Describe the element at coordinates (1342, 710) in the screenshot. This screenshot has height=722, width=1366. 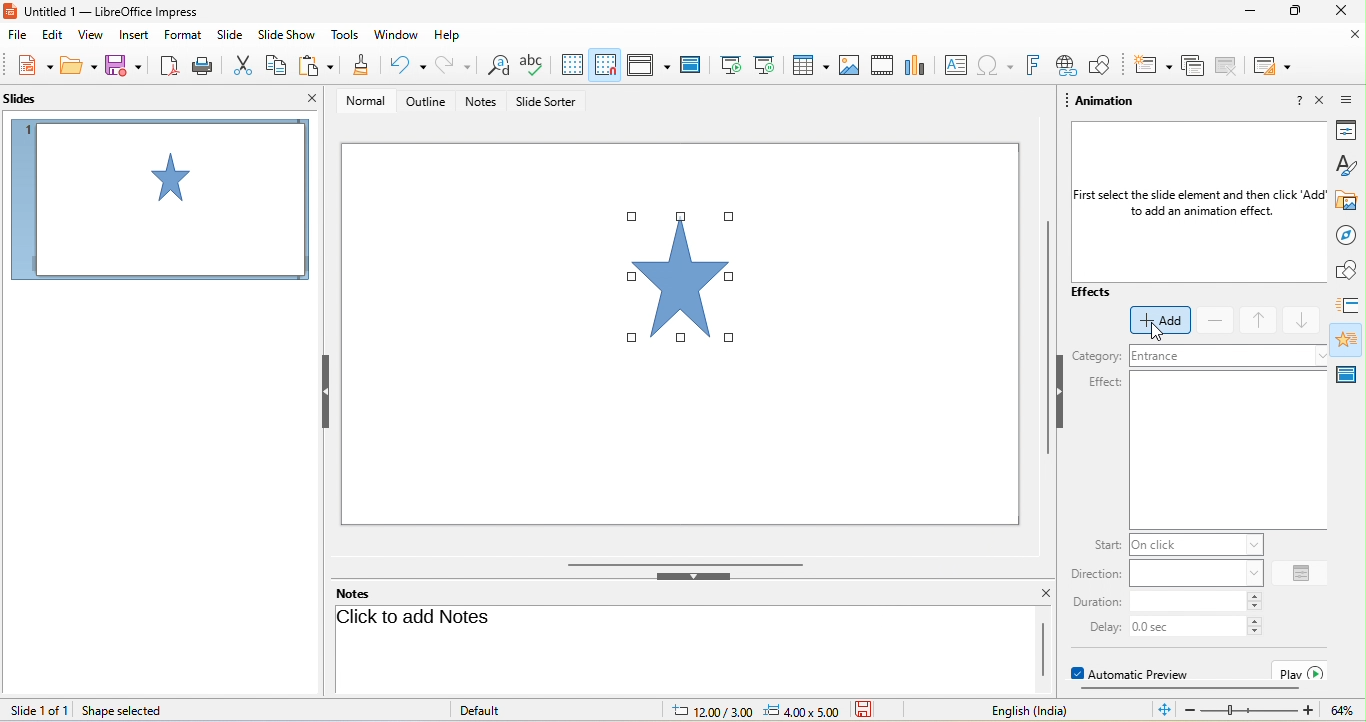
I see `current zoom` at that location.